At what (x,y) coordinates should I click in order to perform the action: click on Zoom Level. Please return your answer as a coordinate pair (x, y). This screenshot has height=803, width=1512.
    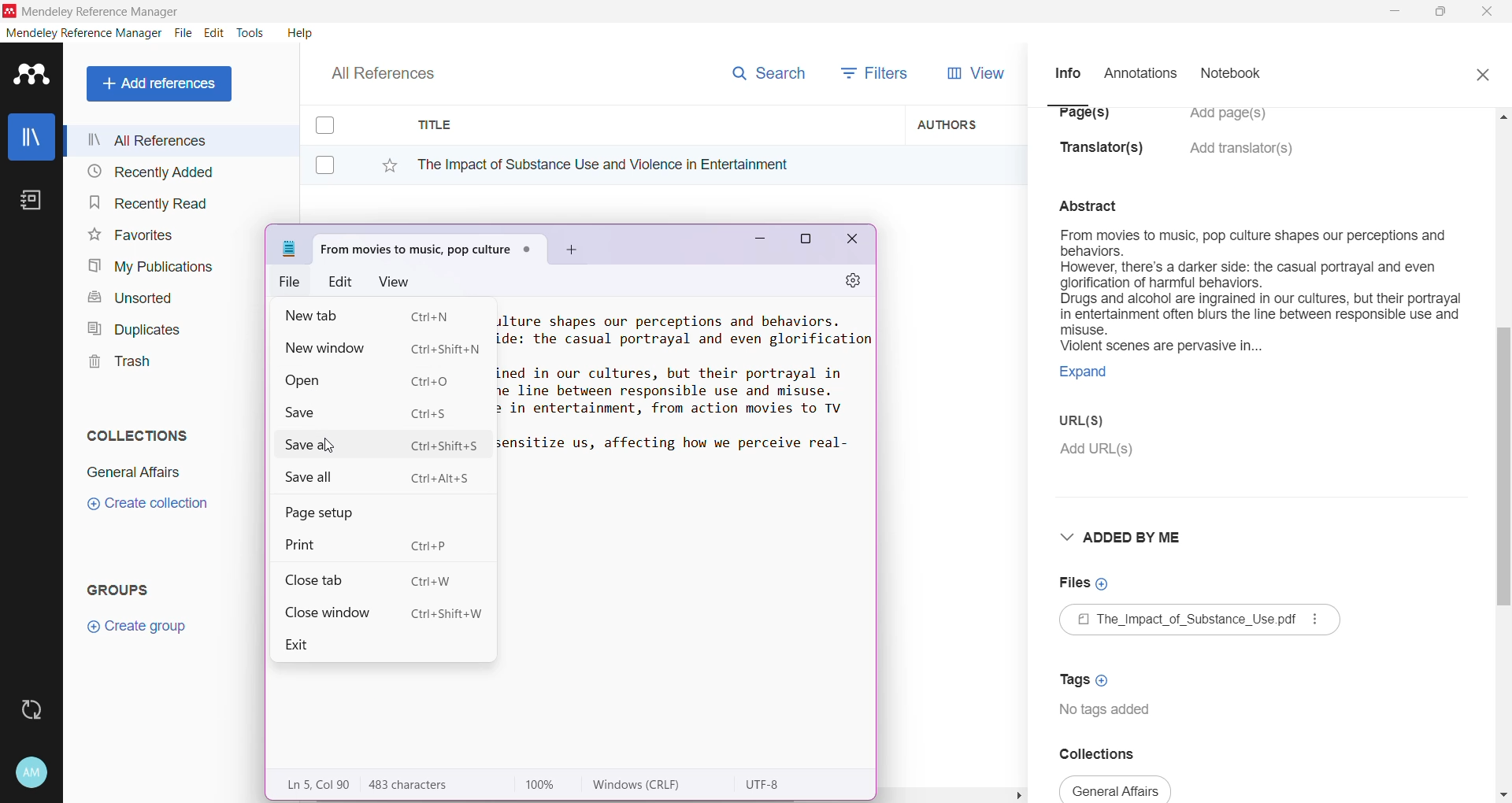
    Looking at the image, I should click on (548, 785).